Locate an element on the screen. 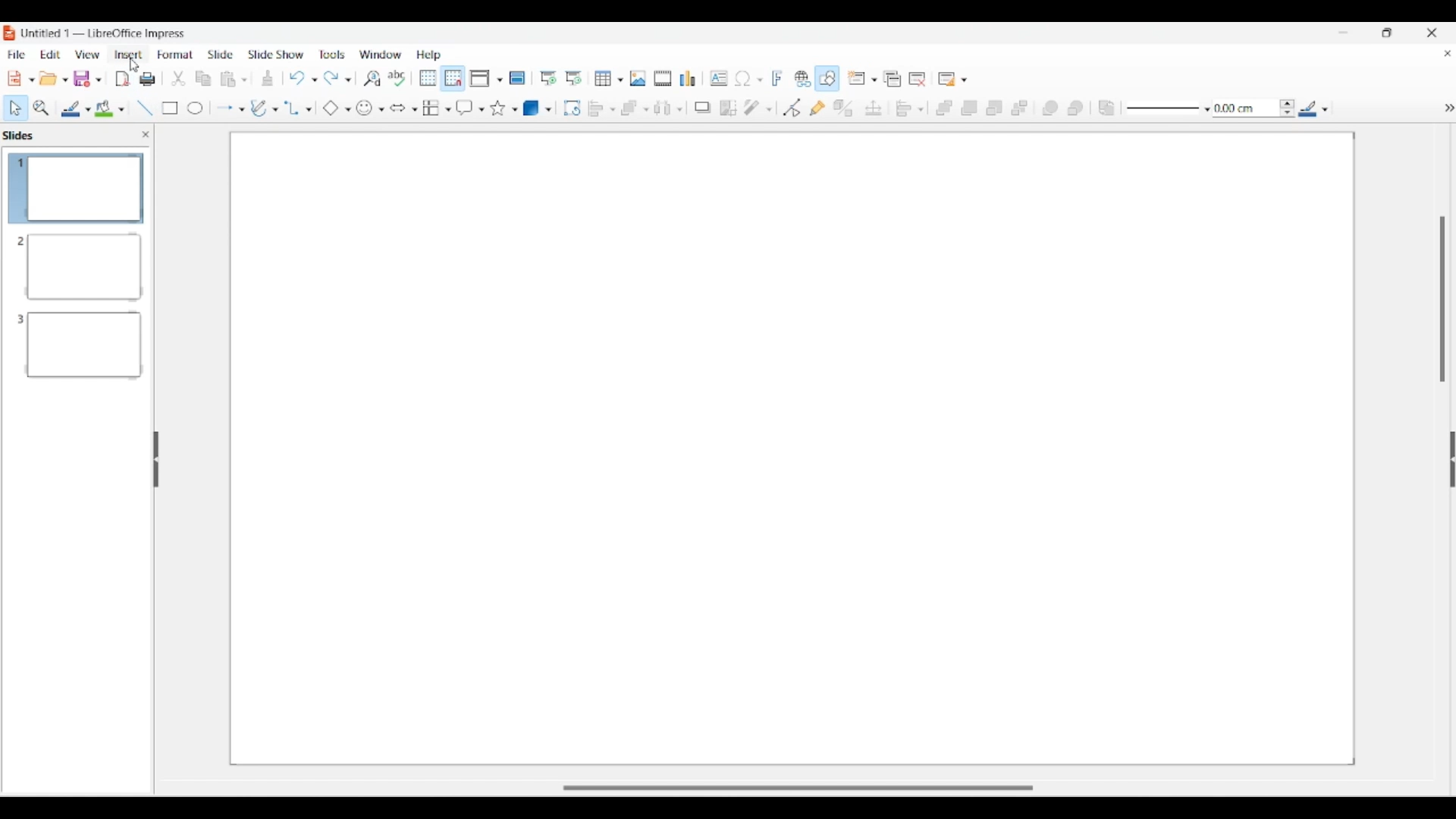  Insert audio/video is located at coordinates (663, 78).